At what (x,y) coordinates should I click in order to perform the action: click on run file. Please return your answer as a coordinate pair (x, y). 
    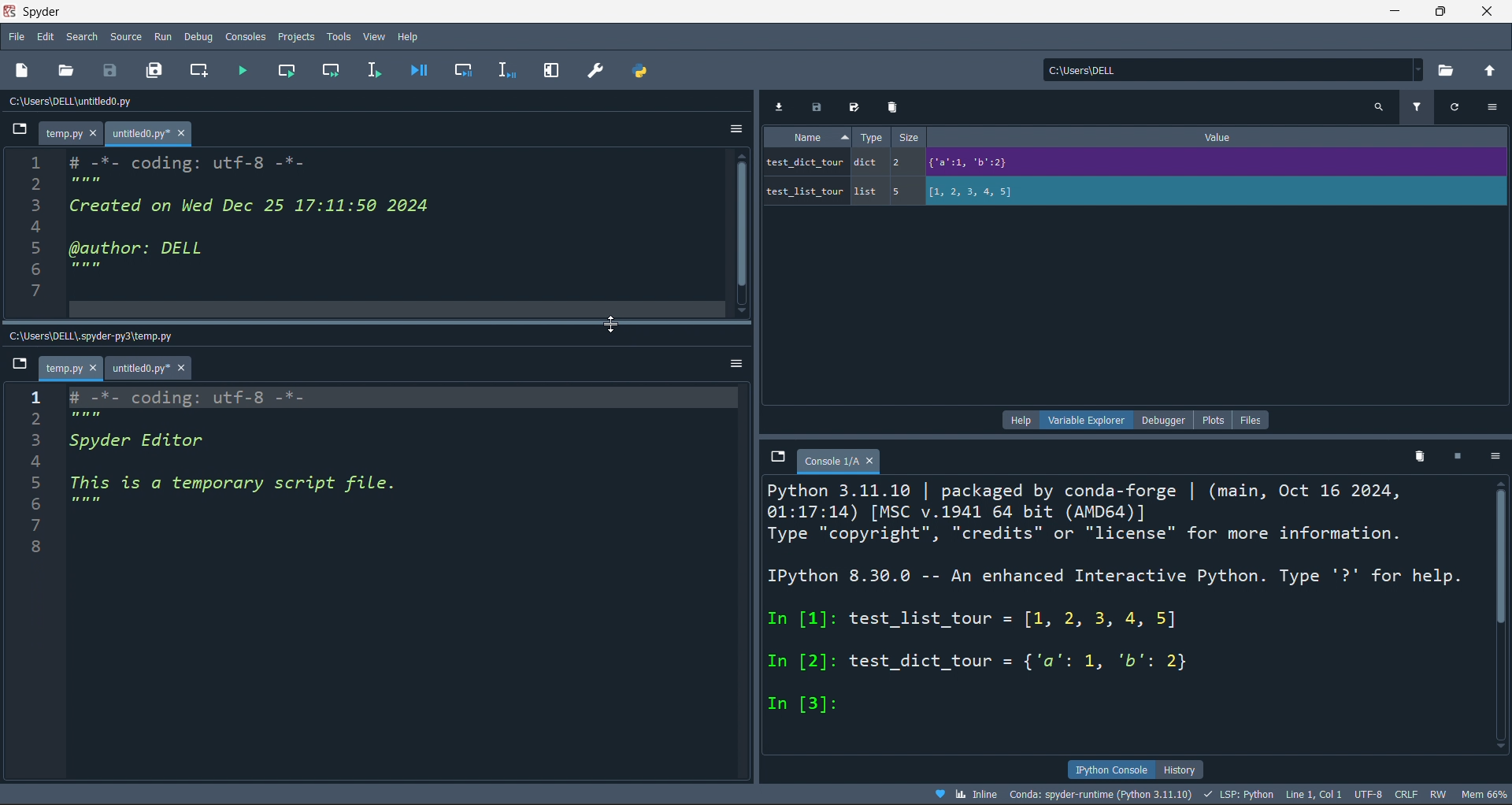
    Looking at the image, I should click on (244, 71).